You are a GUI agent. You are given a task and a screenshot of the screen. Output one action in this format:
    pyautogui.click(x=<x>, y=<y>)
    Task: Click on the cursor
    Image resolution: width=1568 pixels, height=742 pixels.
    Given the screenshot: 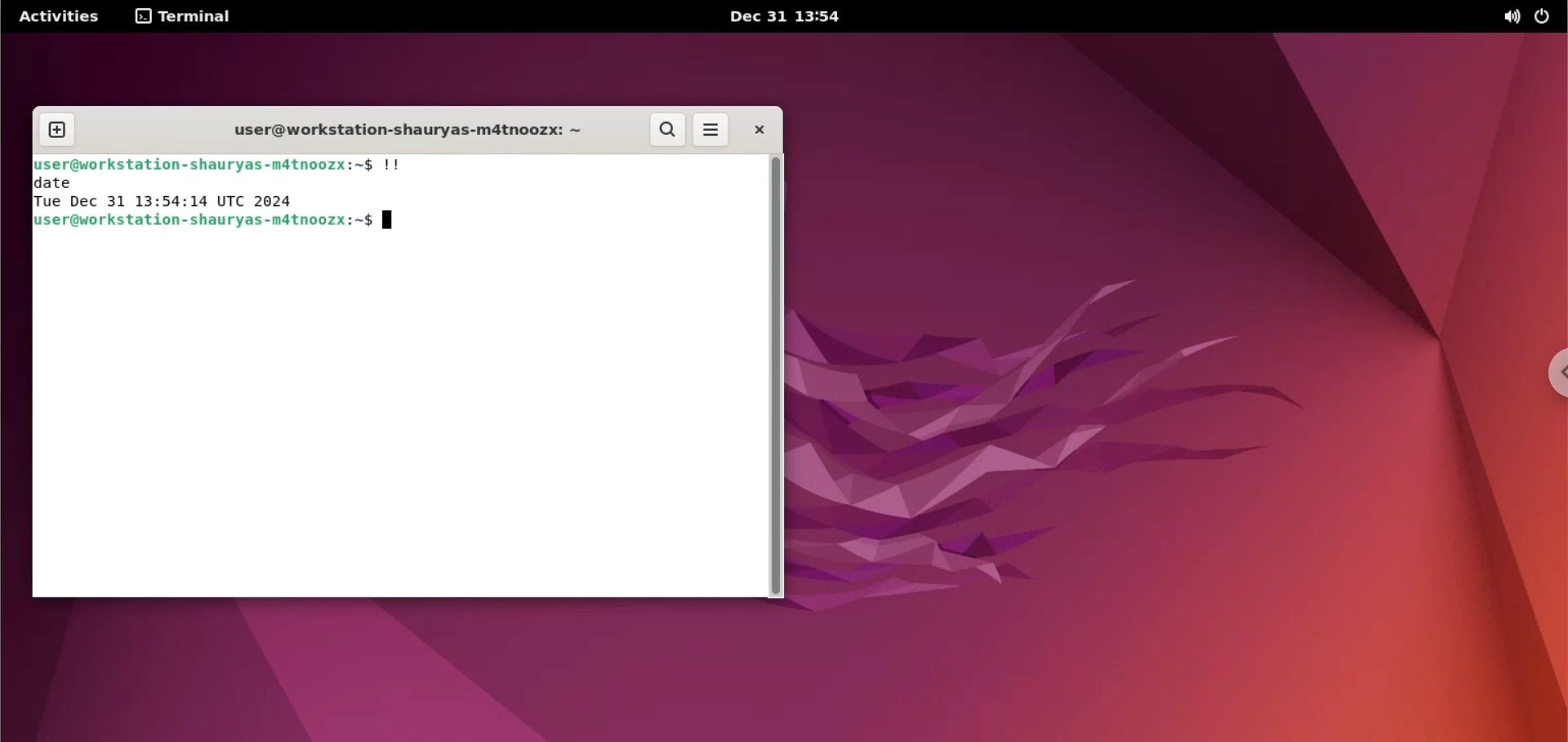 What is the action you would take?
    pyautogui.click(x=391, y=221)
    